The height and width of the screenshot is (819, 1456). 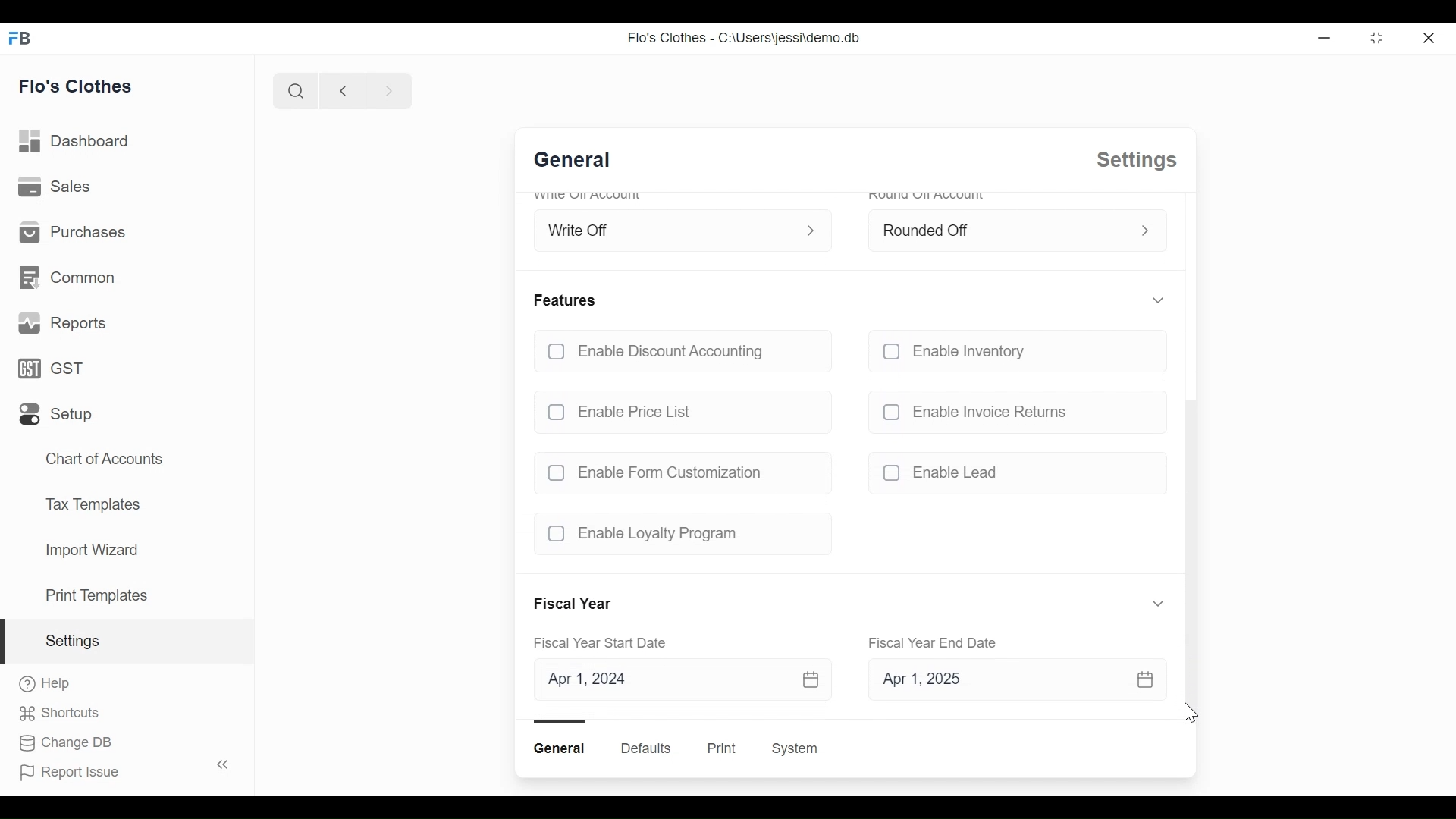 What do you see at coordinates (1007, 682) in the screenshot?
I see `Apr 1, 2025` at bounding box center [1007, 682].